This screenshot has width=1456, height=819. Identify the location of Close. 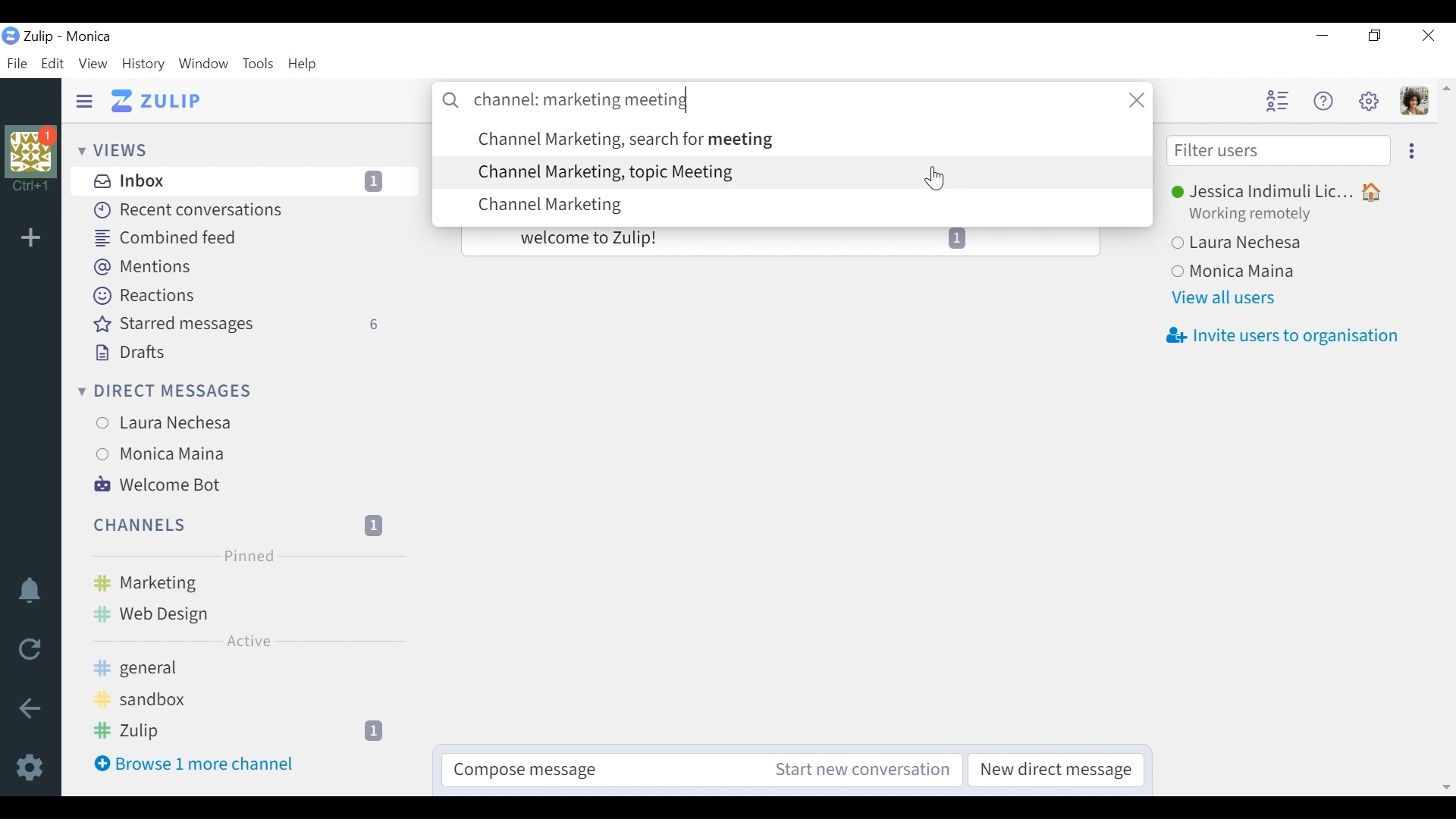
(1427, 35).